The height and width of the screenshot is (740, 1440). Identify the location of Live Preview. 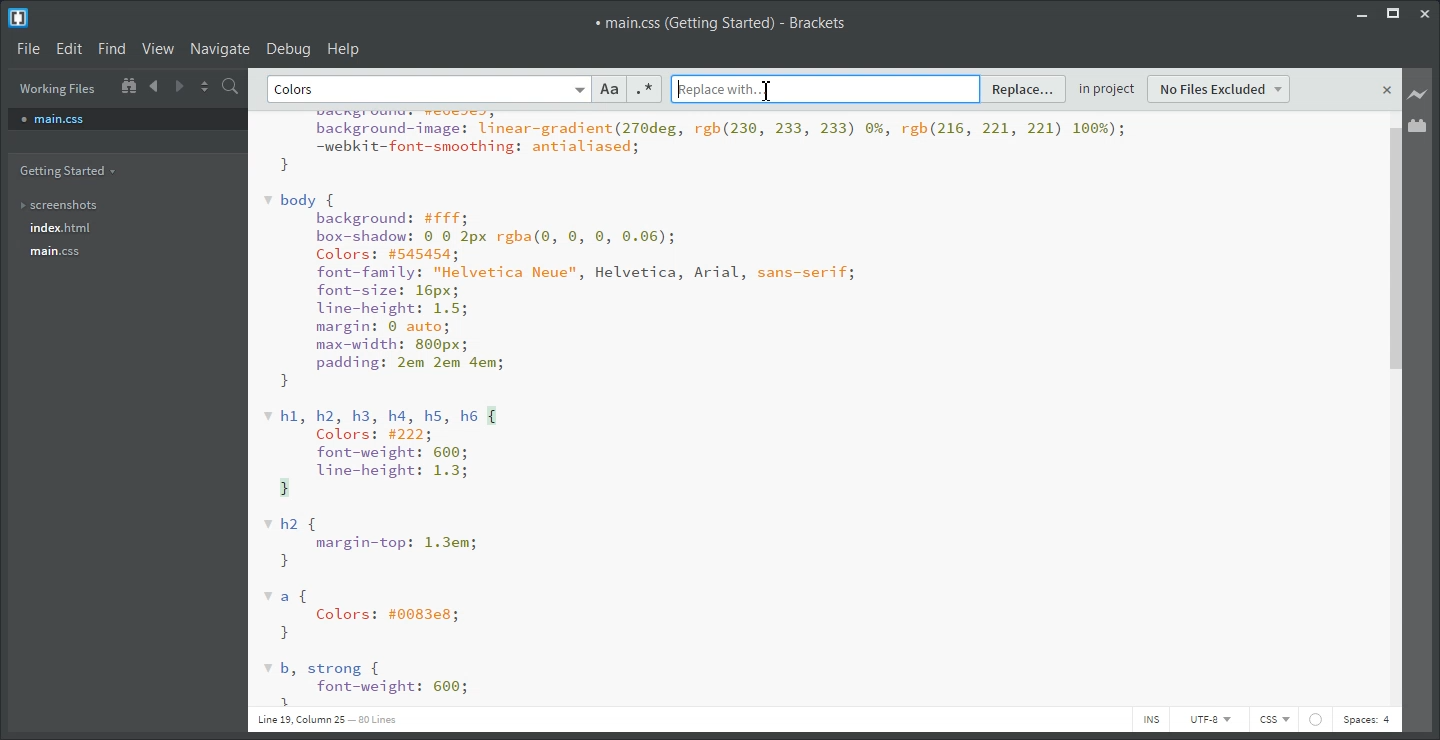
(1418, 95).